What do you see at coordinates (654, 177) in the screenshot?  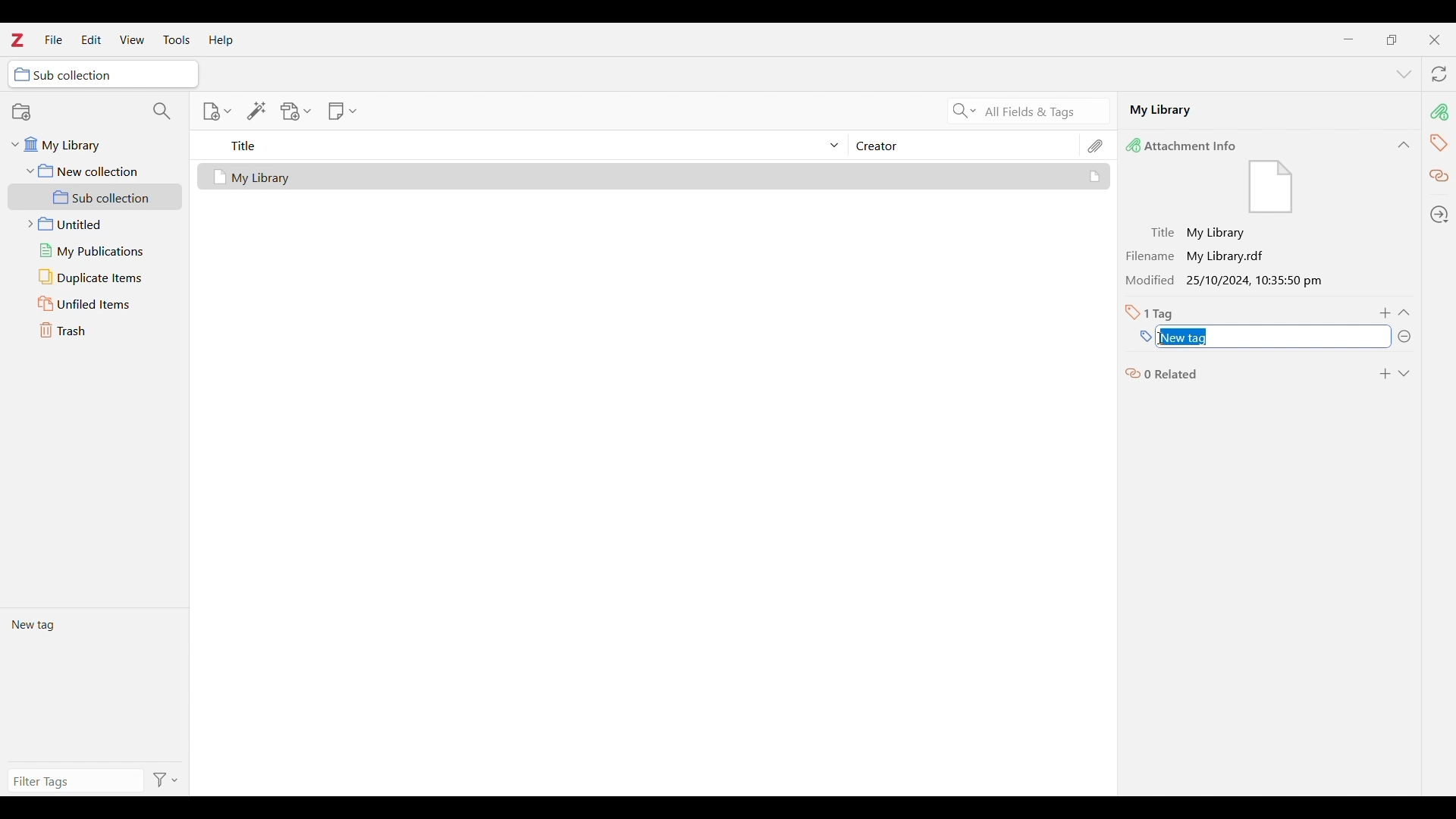 I see `Selected file and its details` at bounding box center [654, 177].